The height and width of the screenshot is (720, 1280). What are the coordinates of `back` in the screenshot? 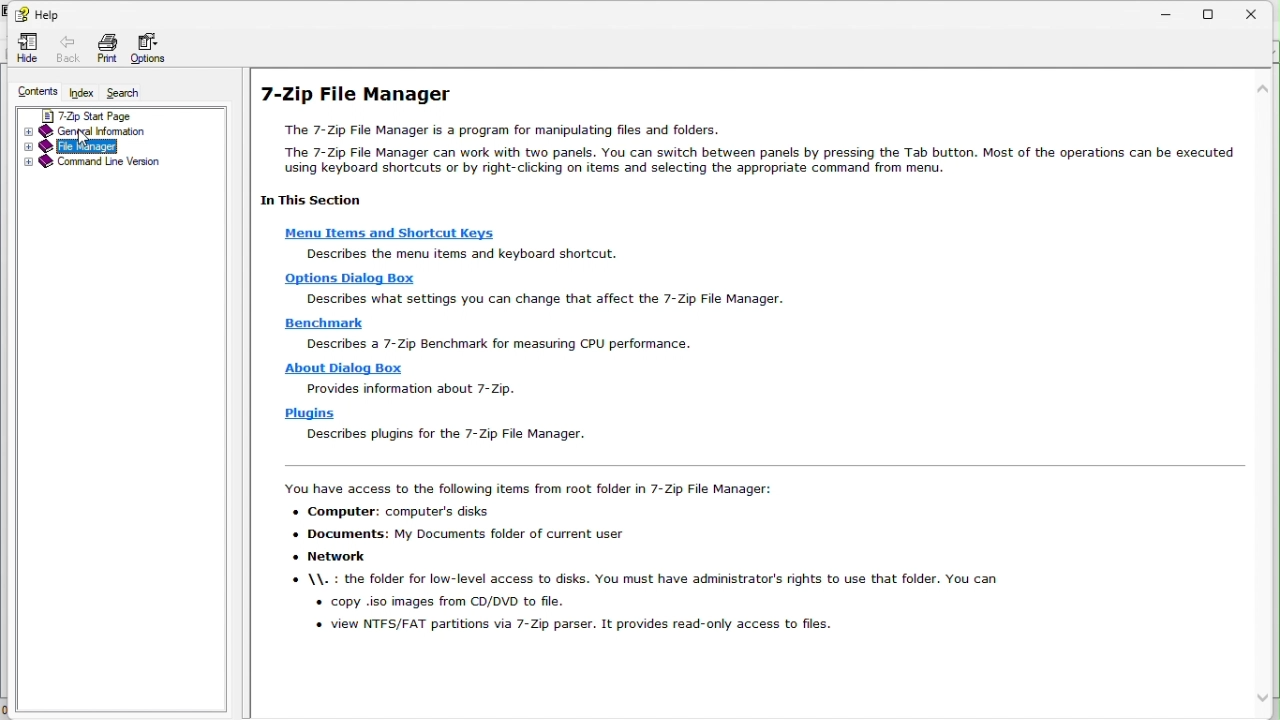 It's located at (64, 46).